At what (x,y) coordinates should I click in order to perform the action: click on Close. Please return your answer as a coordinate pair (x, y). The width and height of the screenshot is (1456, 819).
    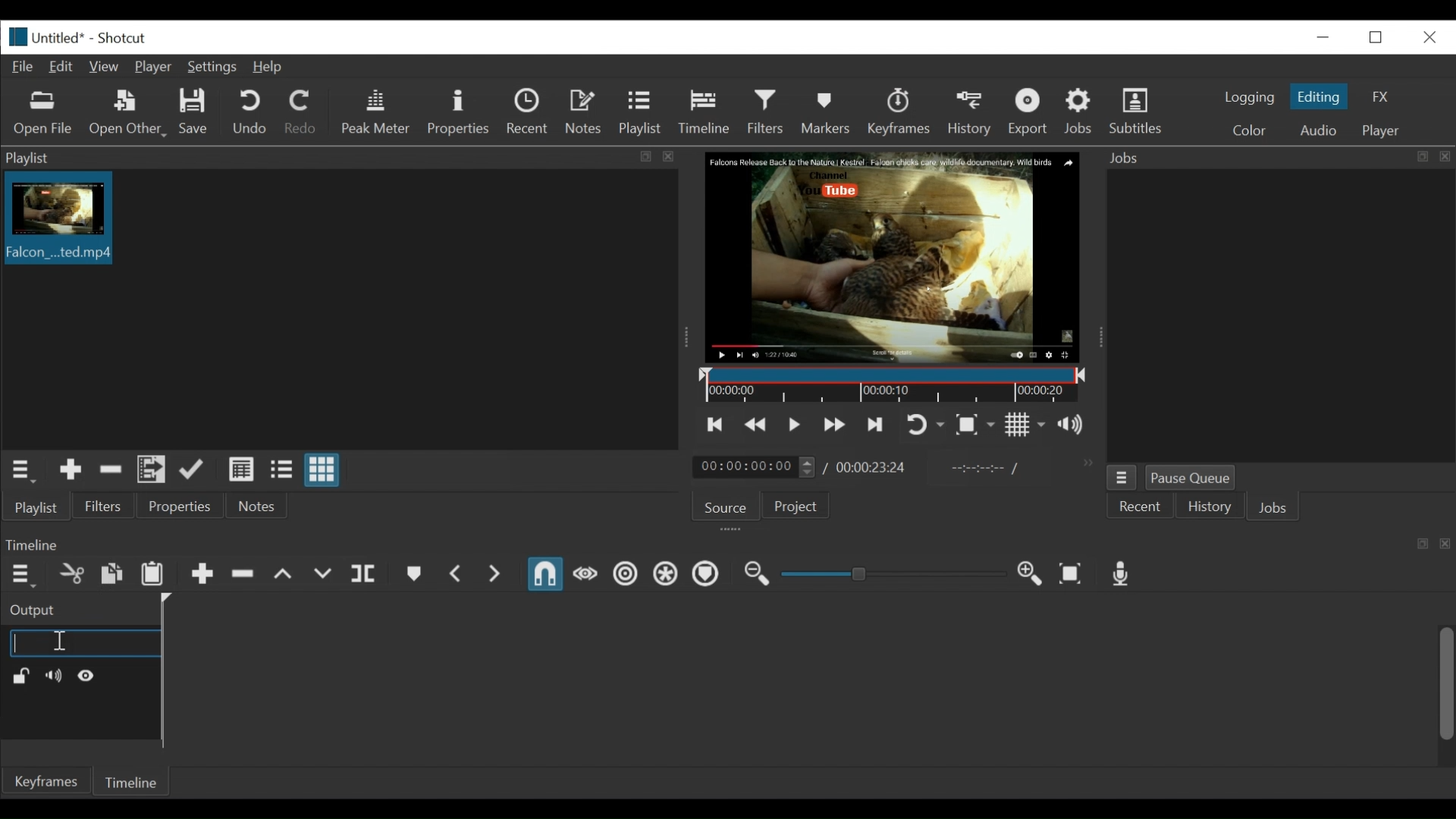
    Looking at the image, I should click on (1428, 37).